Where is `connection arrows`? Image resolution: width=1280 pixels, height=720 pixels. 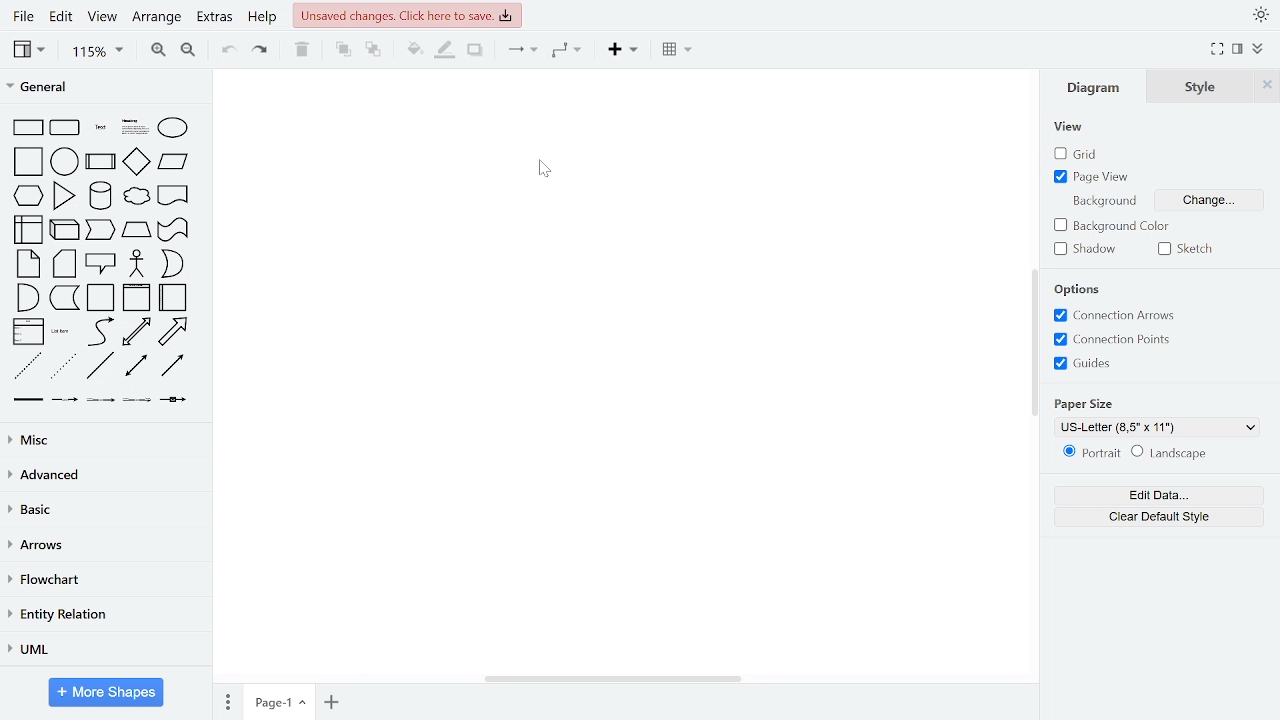 connection arrows is located at coordinates (1118, 316).